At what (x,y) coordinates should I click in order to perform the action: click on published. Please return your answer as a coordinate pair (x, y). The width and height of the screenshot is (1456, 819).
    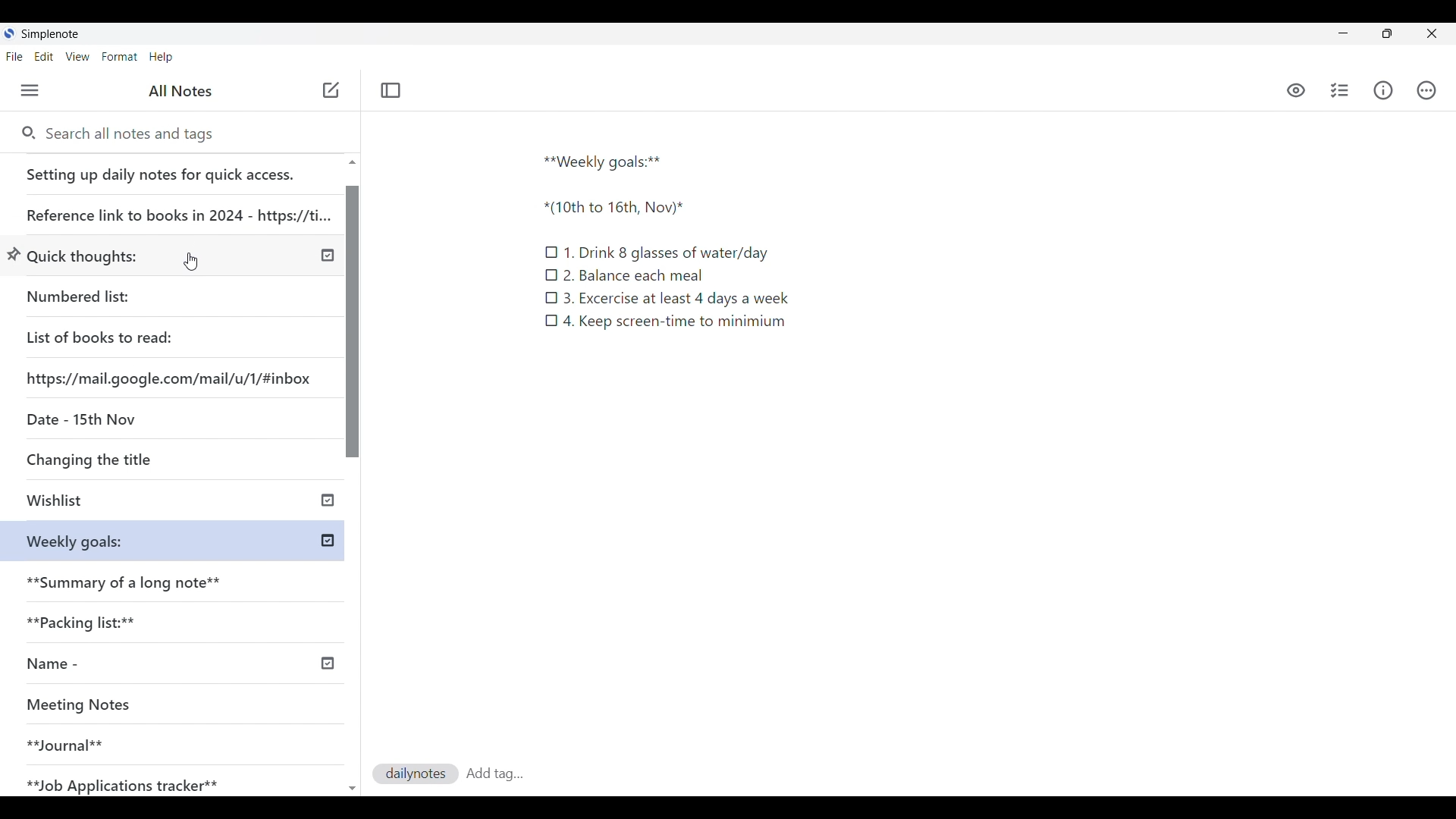
    Looking at the image, I should click on (328, 256).